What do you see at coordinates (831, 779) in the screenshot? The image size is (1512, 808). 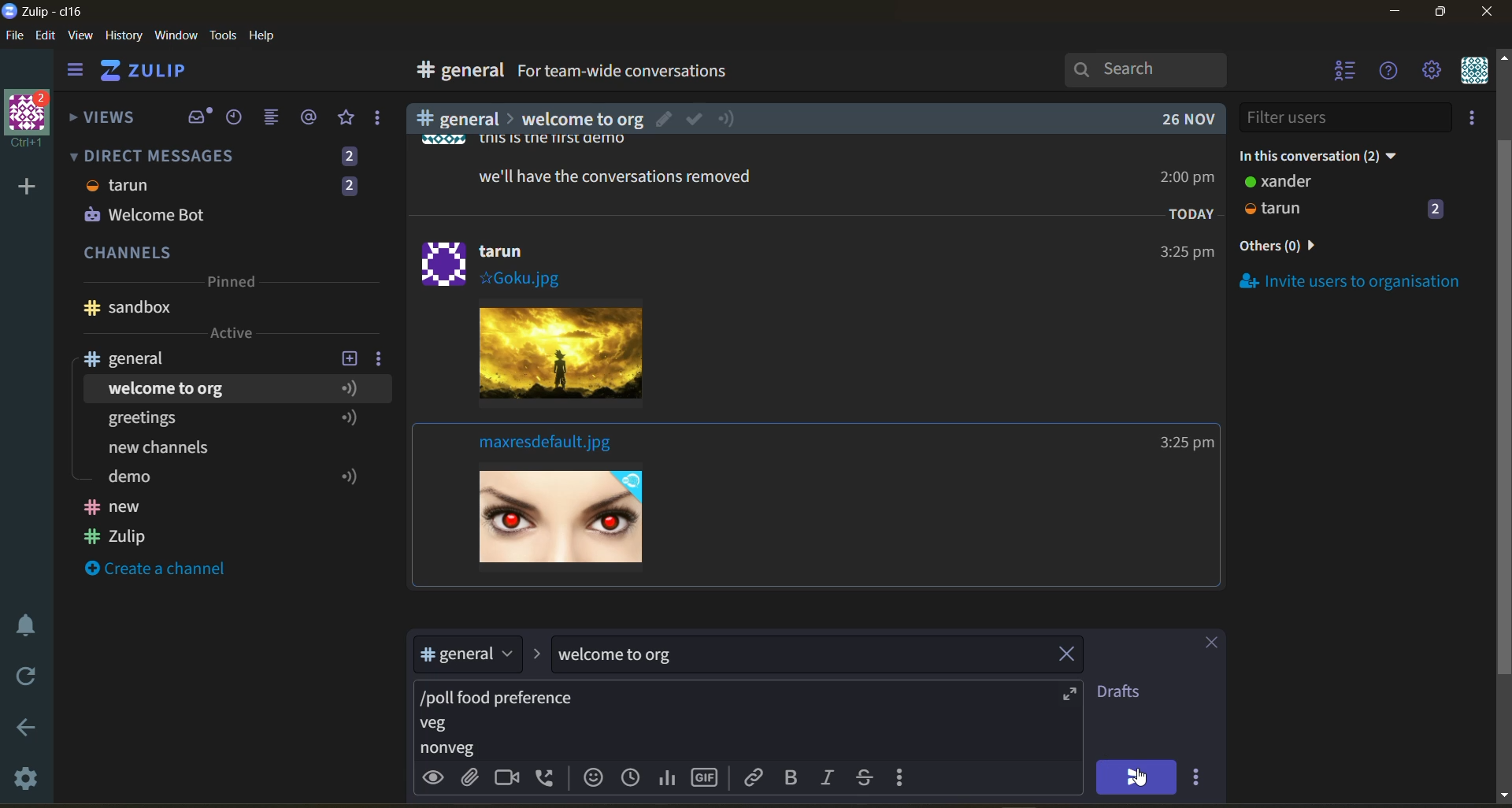 I see `italic` at bounding box center [831, 779].